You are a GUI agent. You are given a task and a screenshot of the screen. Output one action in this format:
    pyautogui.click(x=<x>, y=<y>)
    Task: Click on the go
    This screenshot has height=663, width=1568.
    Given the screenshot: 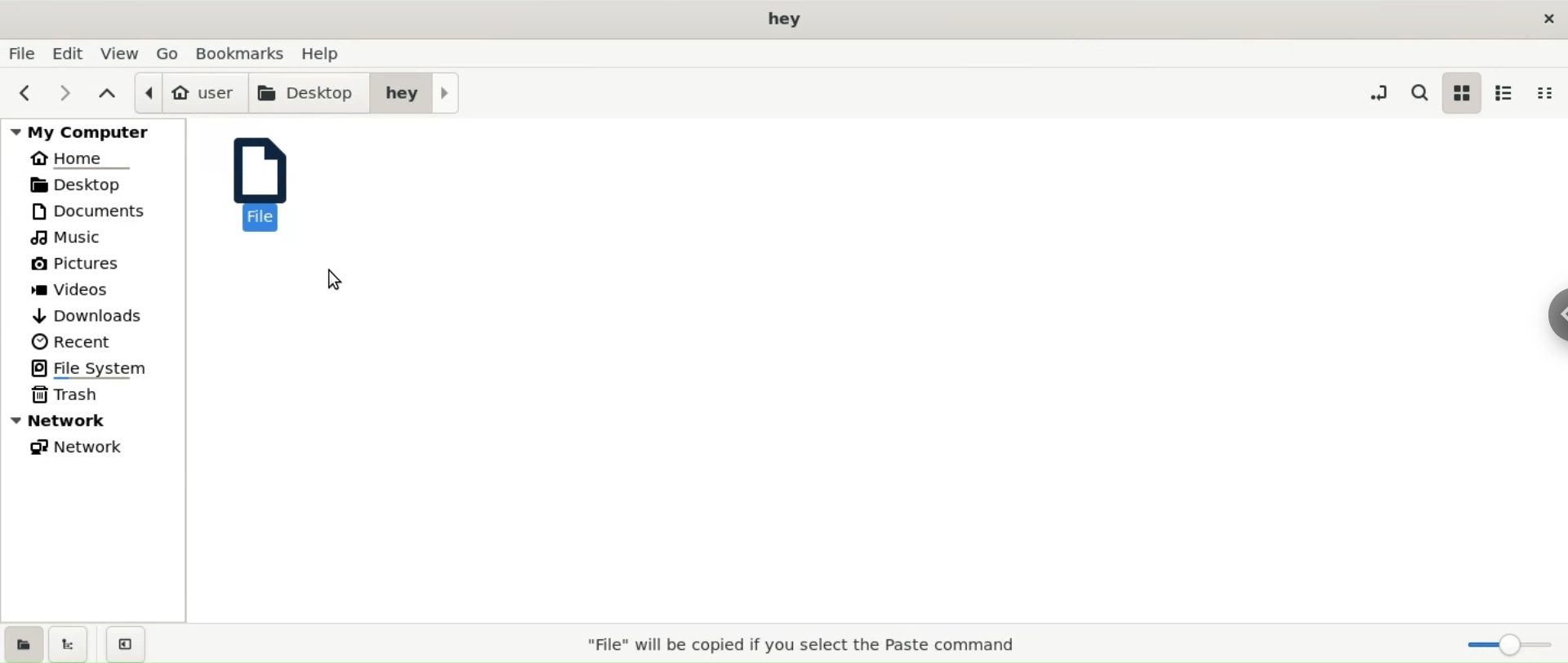 What is the action you would take?
    pyautogui.click(x=170, y=54)
    